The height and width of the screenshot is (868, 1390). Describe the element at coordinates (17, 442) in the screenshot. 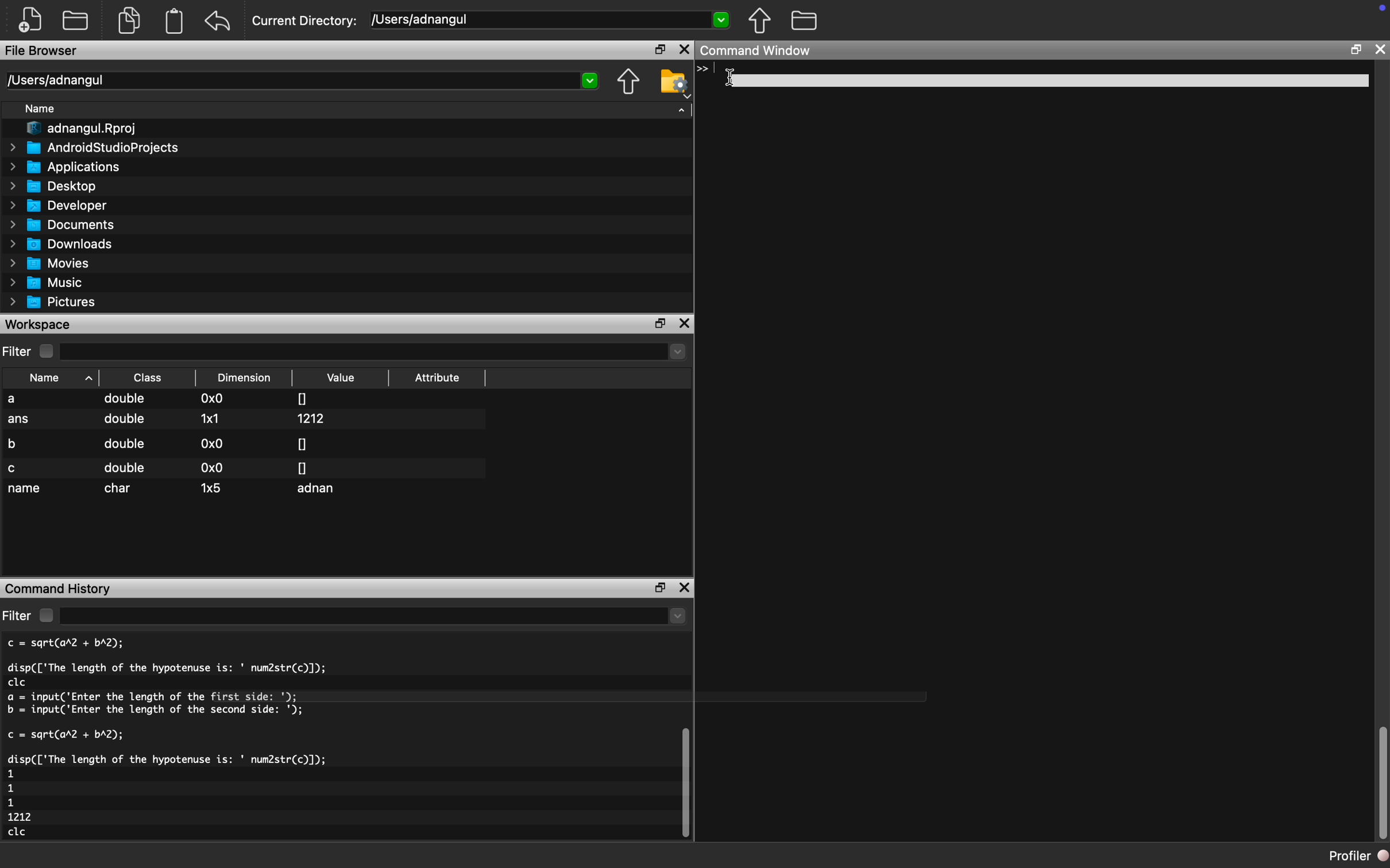

I see `b` at that location.